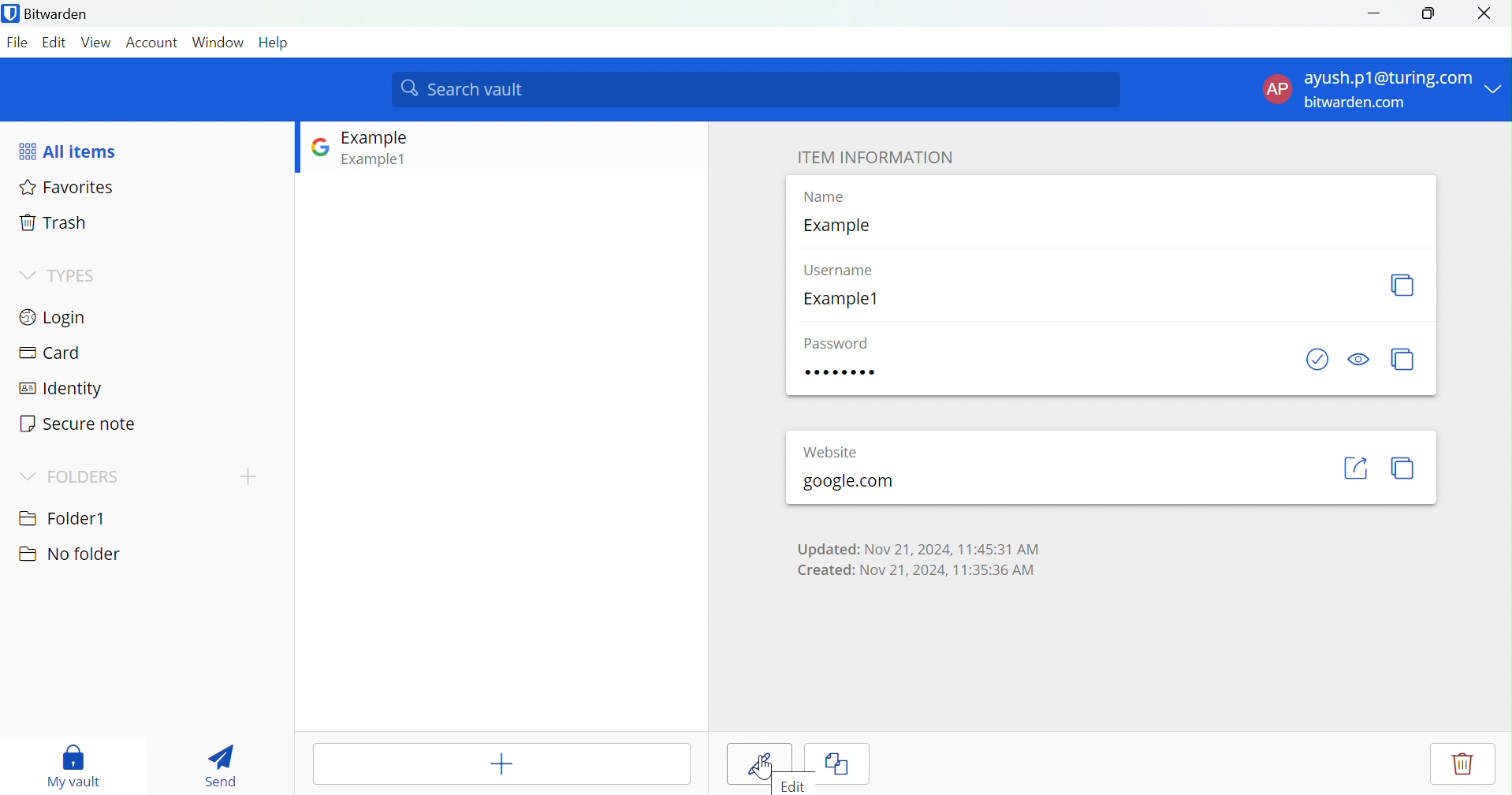 This screenshot has width=1512, height=795. Describe the element at coordinates (376, 159) in the screenshot. I see `Example1` at that location.